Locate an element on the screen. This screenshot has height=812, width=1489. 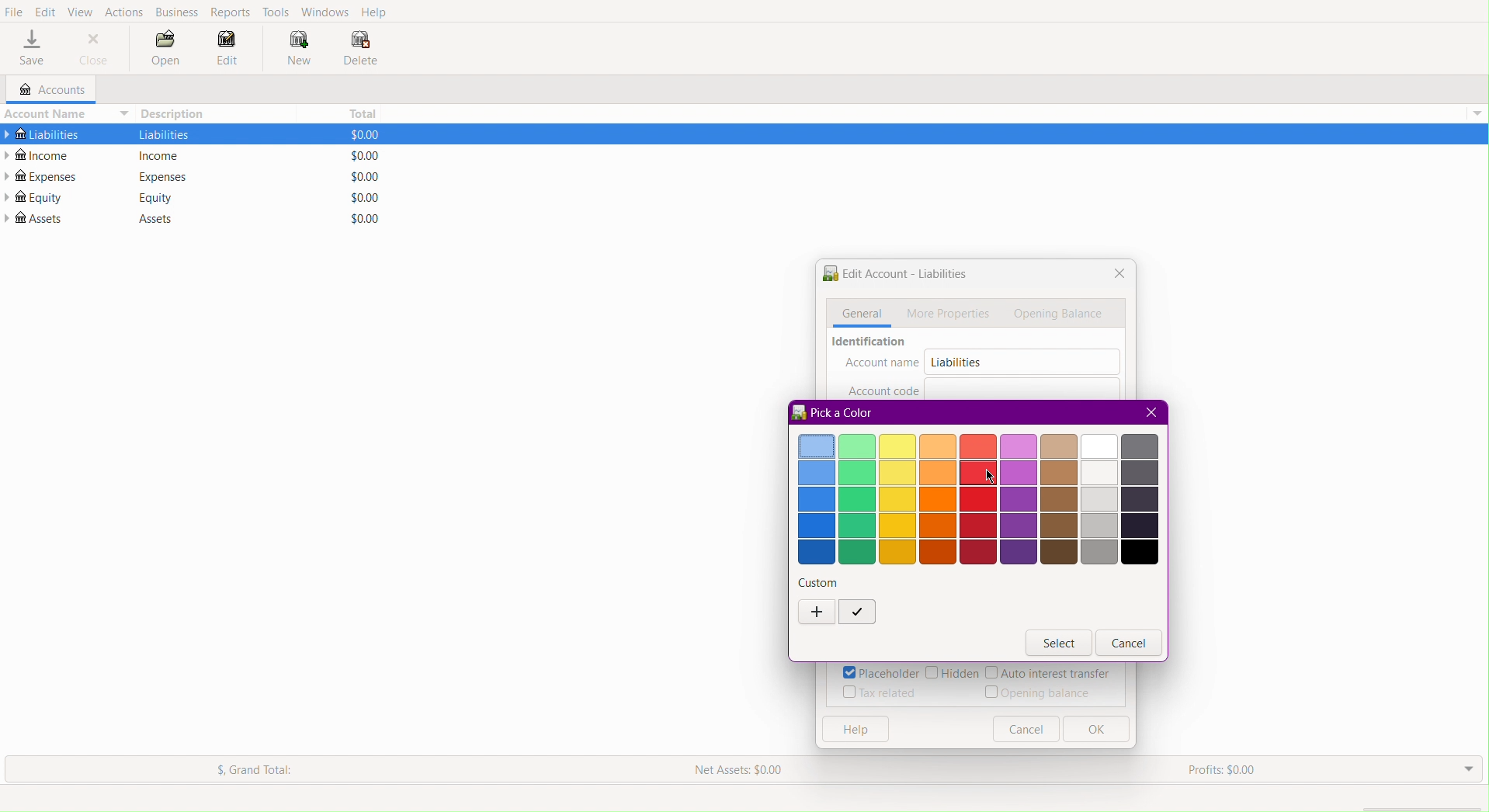
Custom is located at coordinates (820, 582).